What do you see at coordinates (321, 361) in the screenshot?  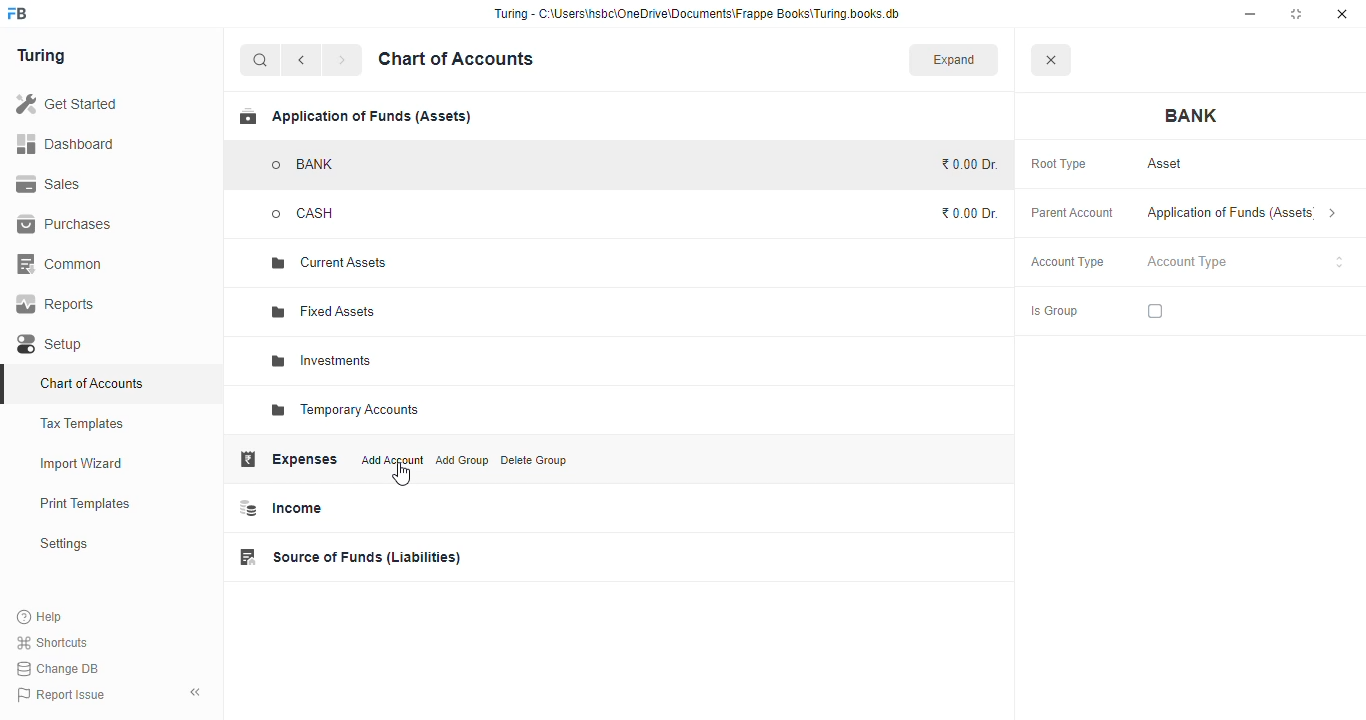 I see `investments` at bounding box center [321, 361].